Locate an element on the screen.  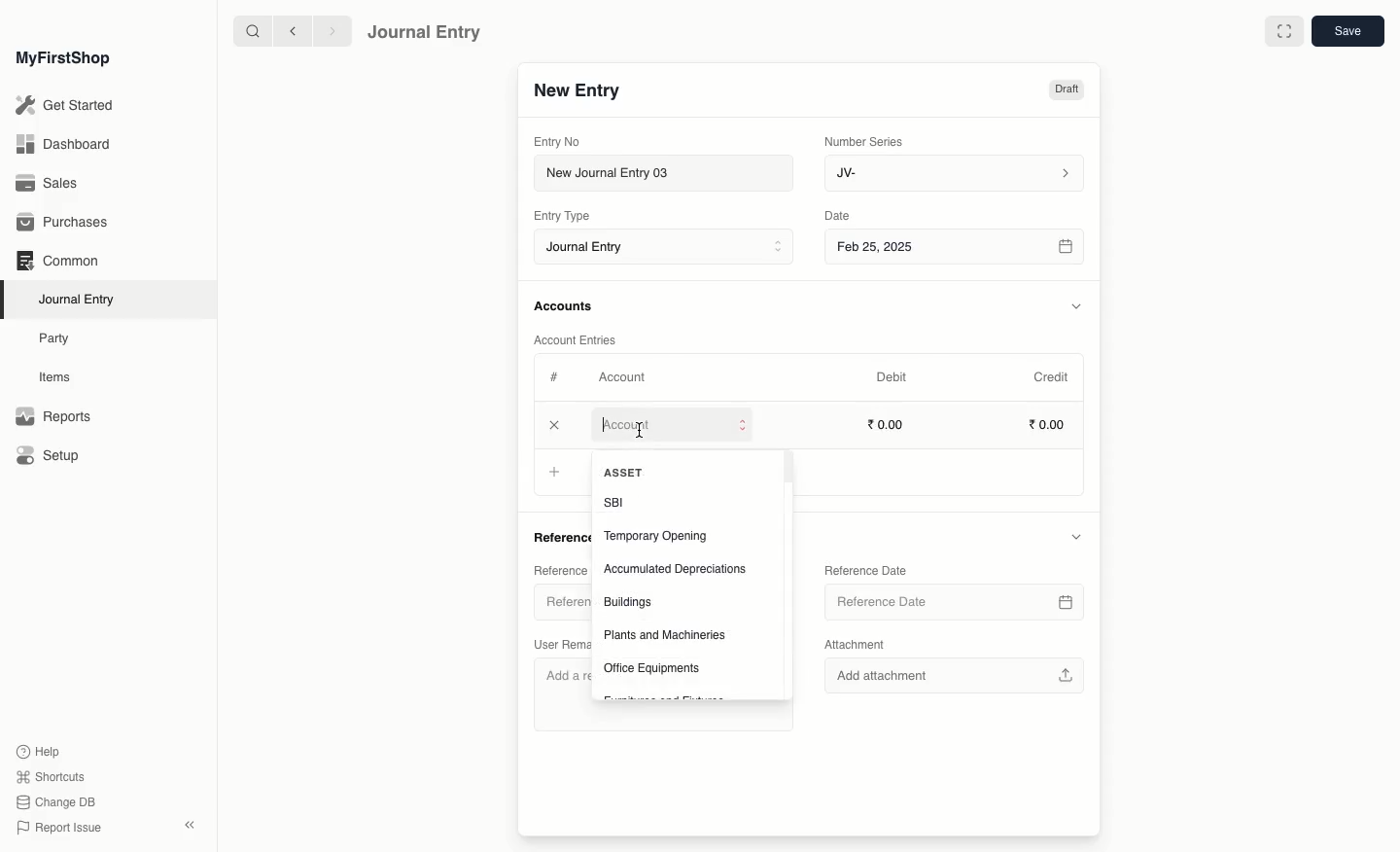
Shortcuts is located at coordinates (48, 775).